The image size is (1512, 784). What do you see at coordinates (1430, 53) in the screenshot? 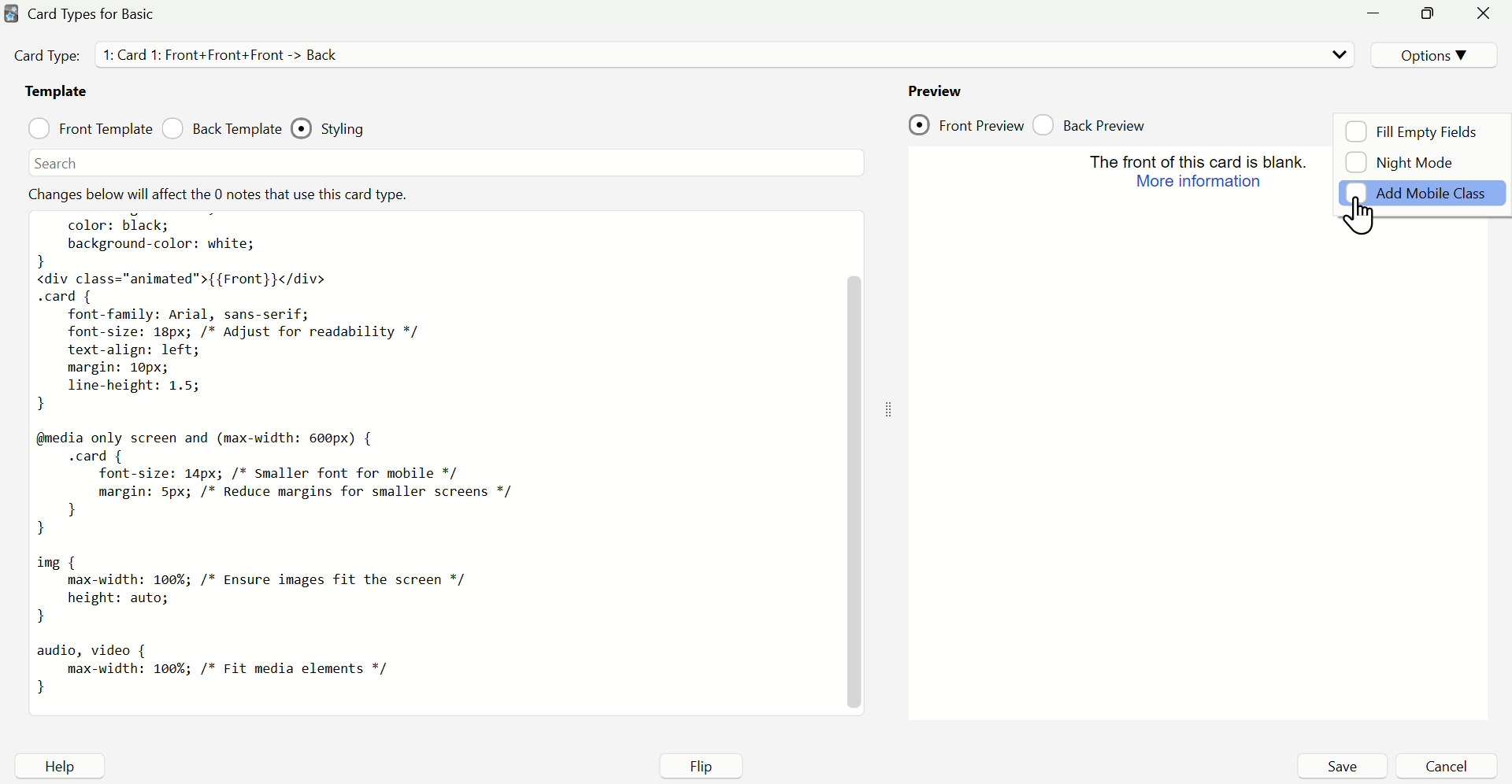
I see `Options` at bounding box center [1430, 53].